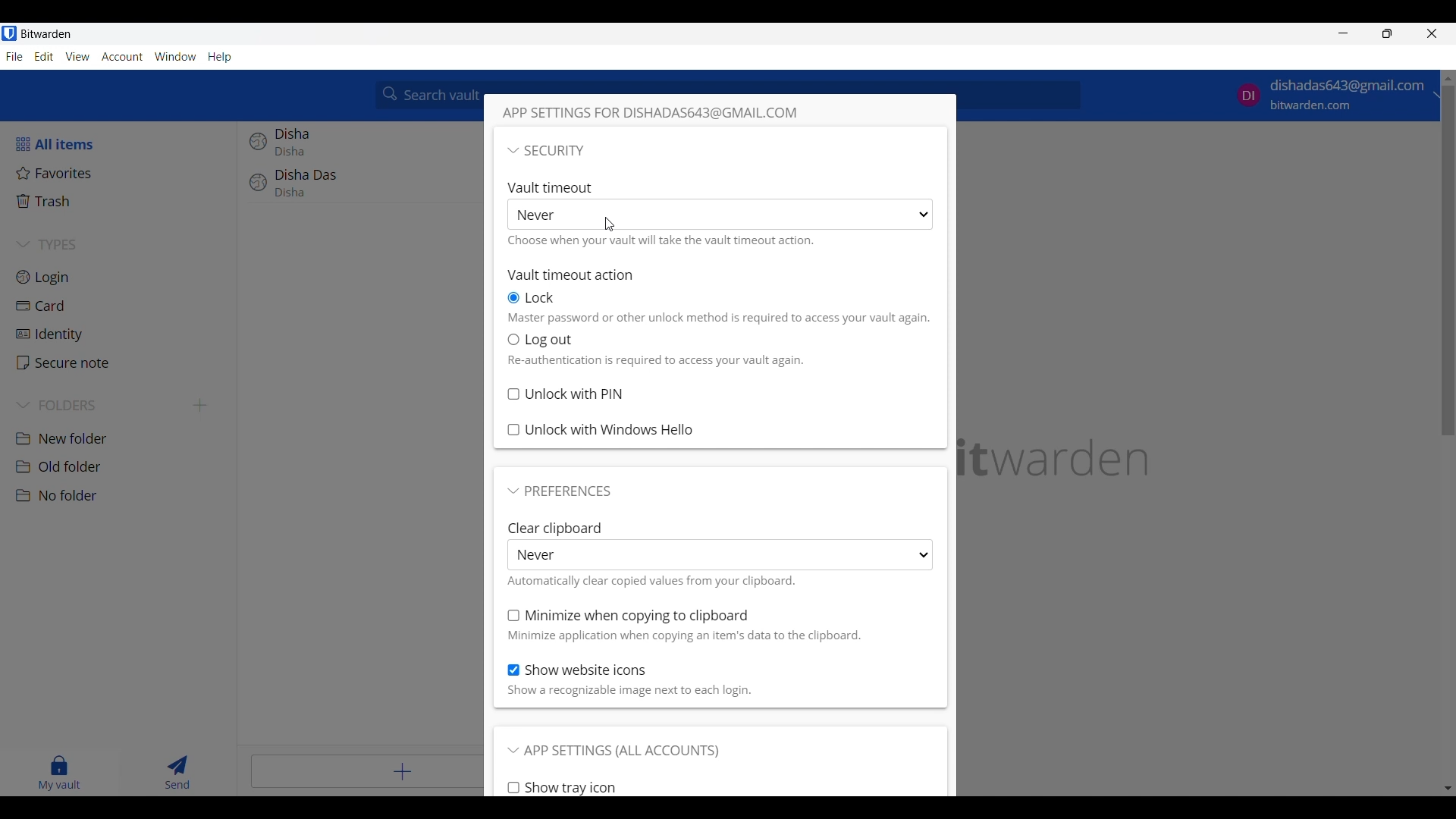 This screenshot has width=1456, height=819. What do you see at coordinates (122, 57) in the screenshot?
I see `Account menu` at bounding box center [122, 57].